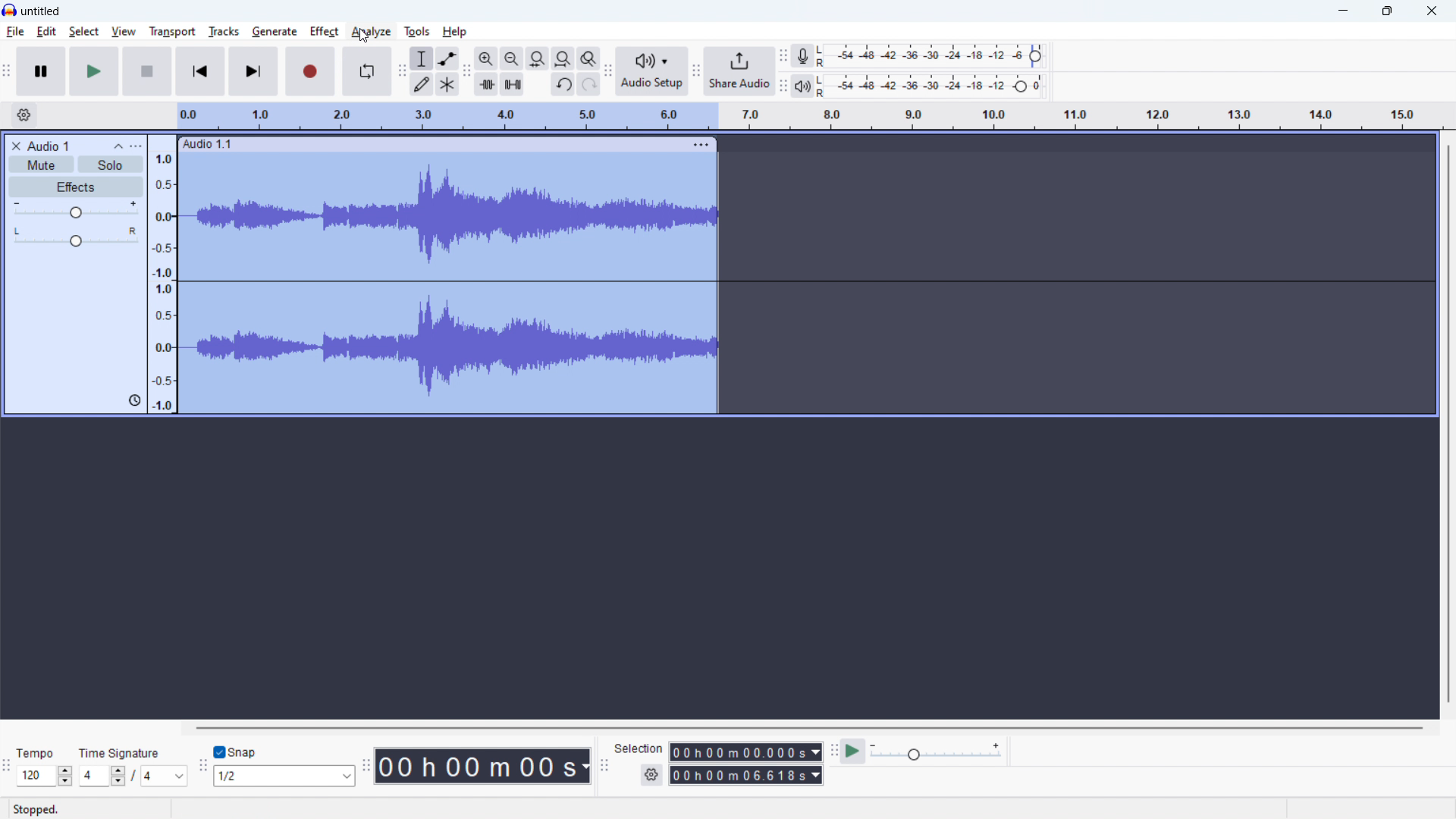  What do you see at coordinates (704, 146) in the screenshot?
I see `track options` at bounding box center [704, 146].